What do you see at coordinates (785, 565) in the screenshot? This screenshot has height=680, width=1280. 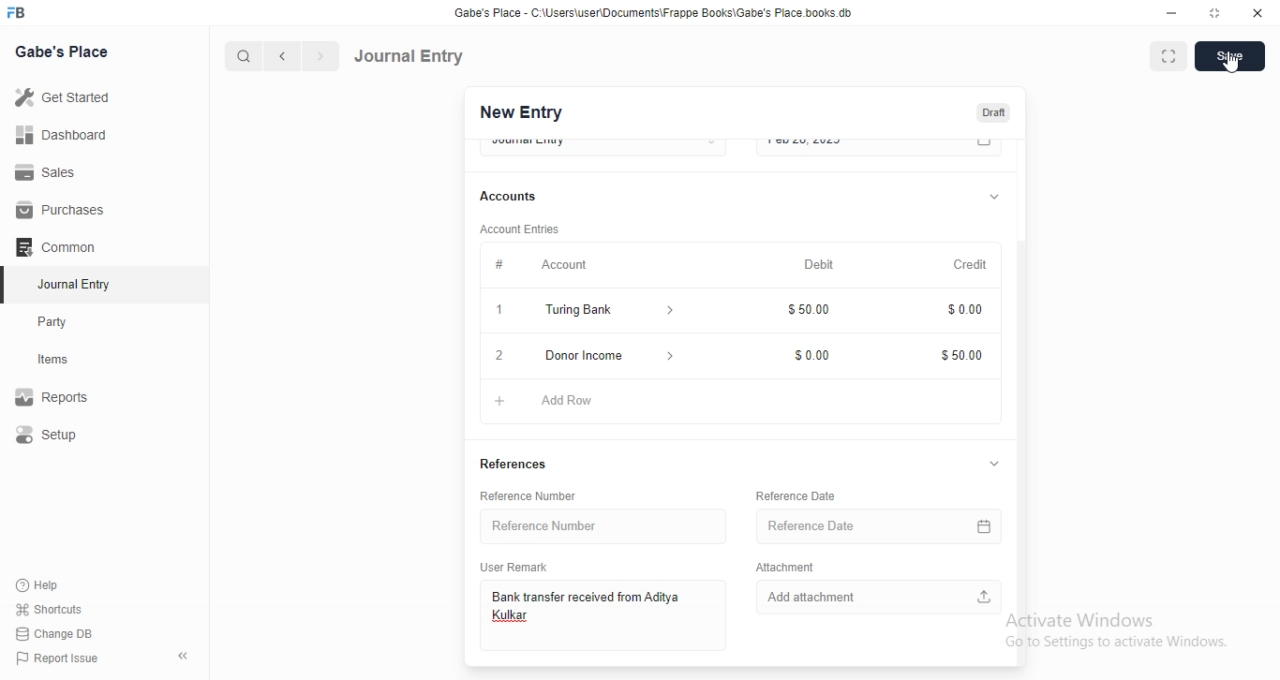 I see `Attachment` at bounding box center [785, 565].